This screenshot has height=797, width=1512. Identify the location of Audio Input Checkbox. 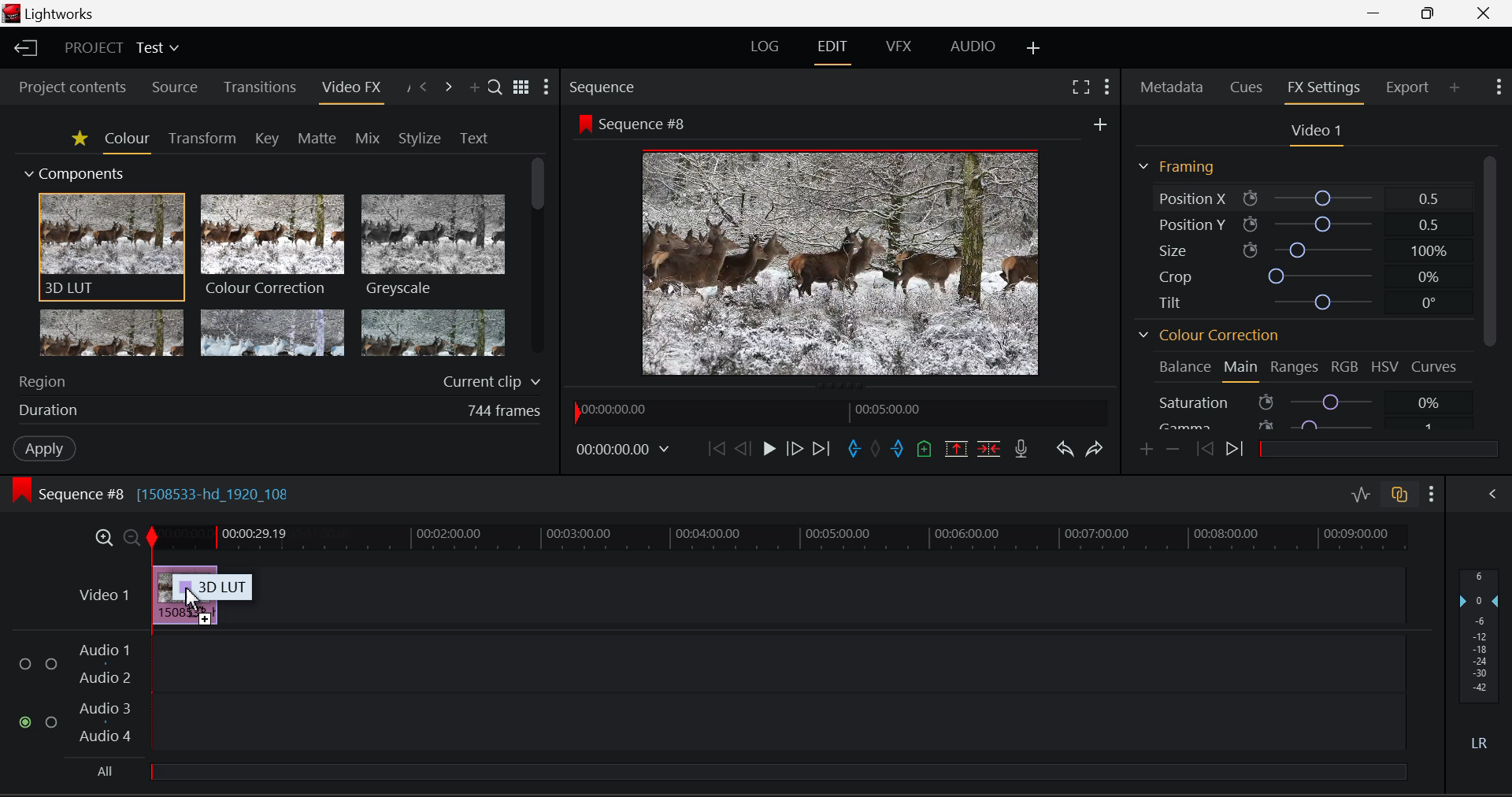
(52, 720).